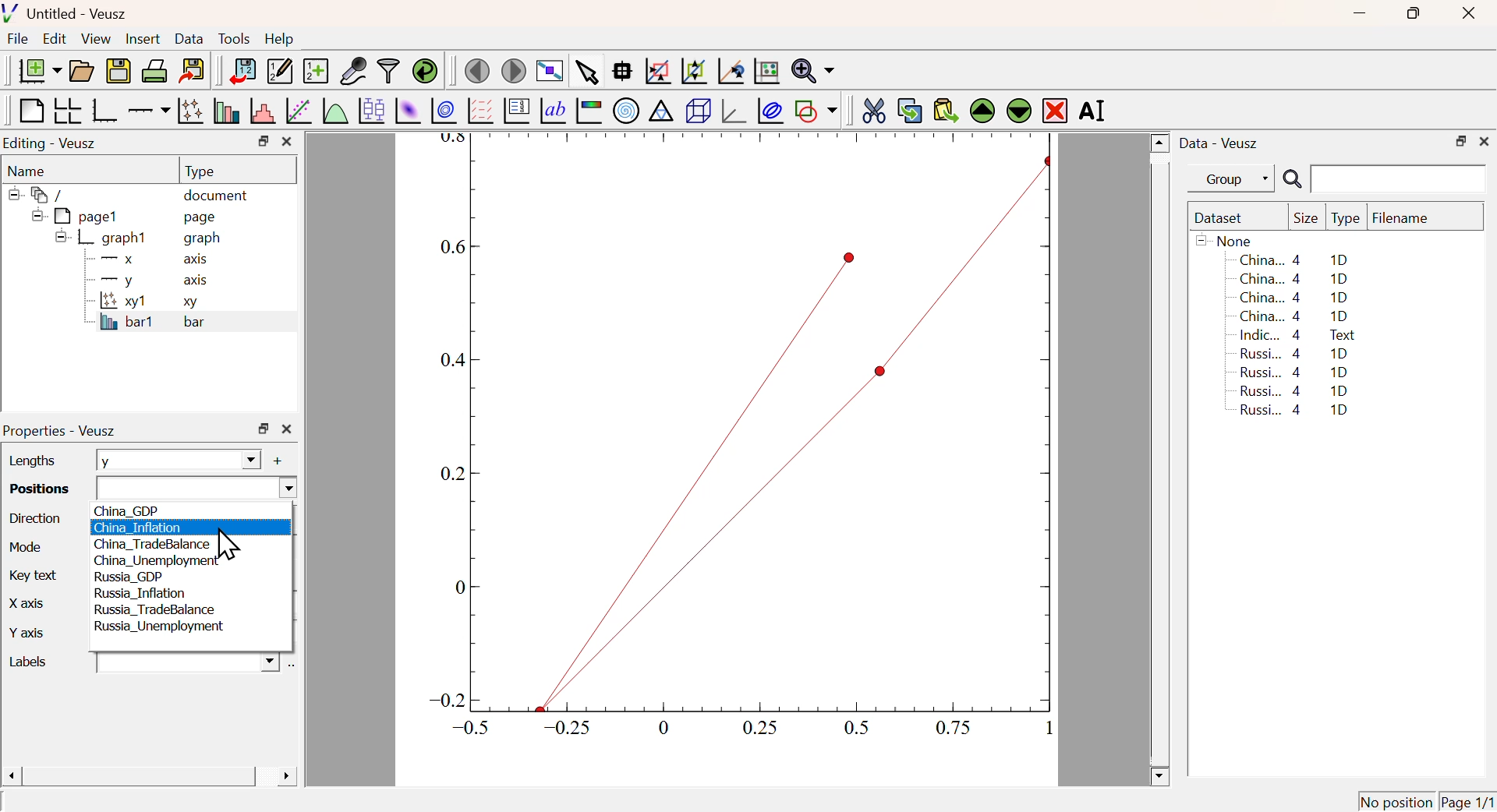 The image size is (1497, 812). I want to click on Tools, so click(234, 40).